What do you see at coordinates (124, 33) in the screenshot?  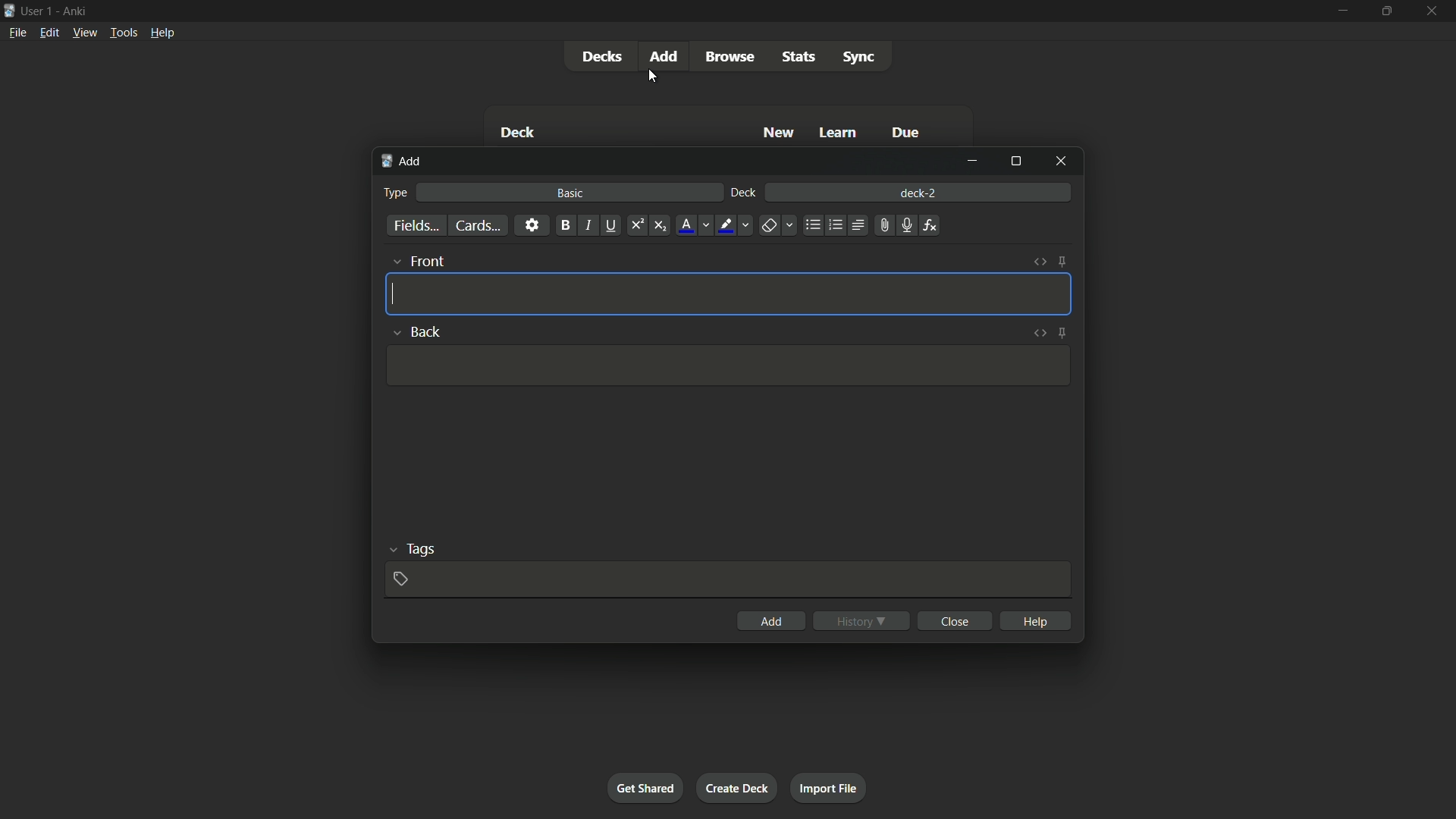 I see `tools menu` at bounding box center [124, 33].